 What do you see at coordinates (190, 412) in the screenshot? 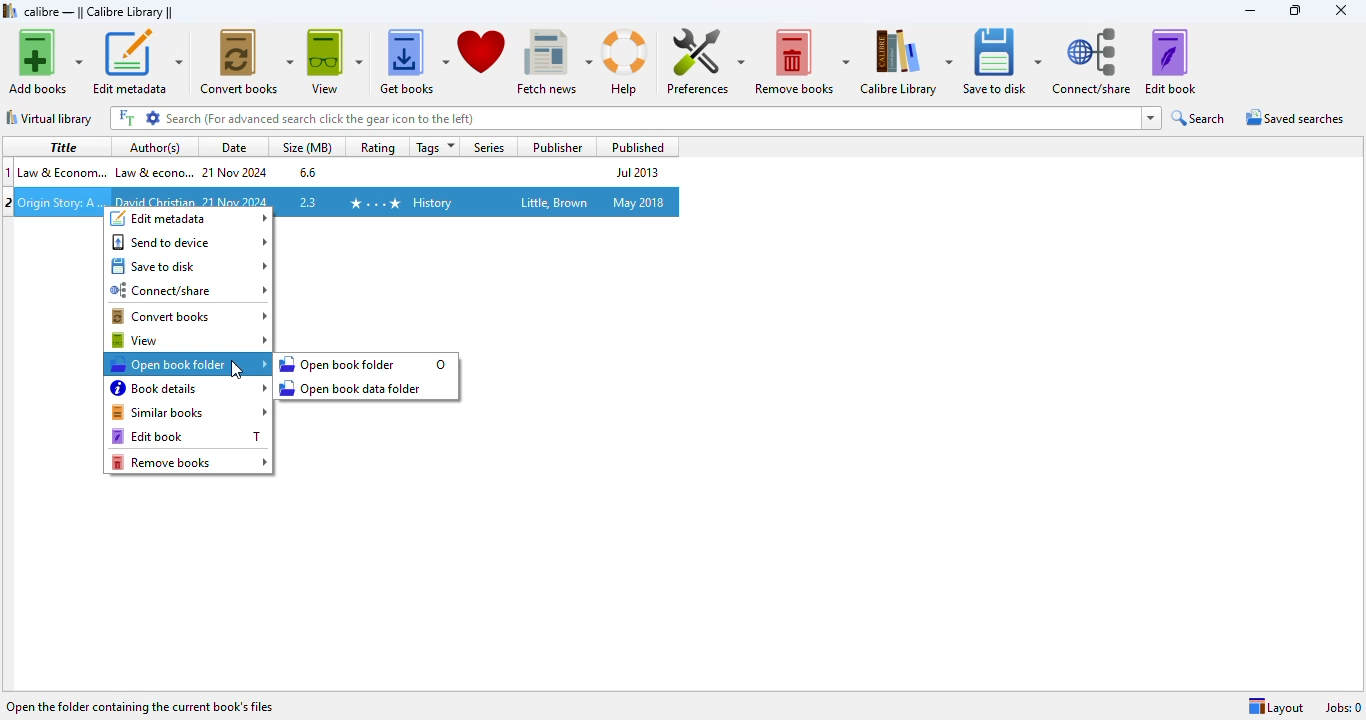
I see `similar books` at bounding box center [190, 412].